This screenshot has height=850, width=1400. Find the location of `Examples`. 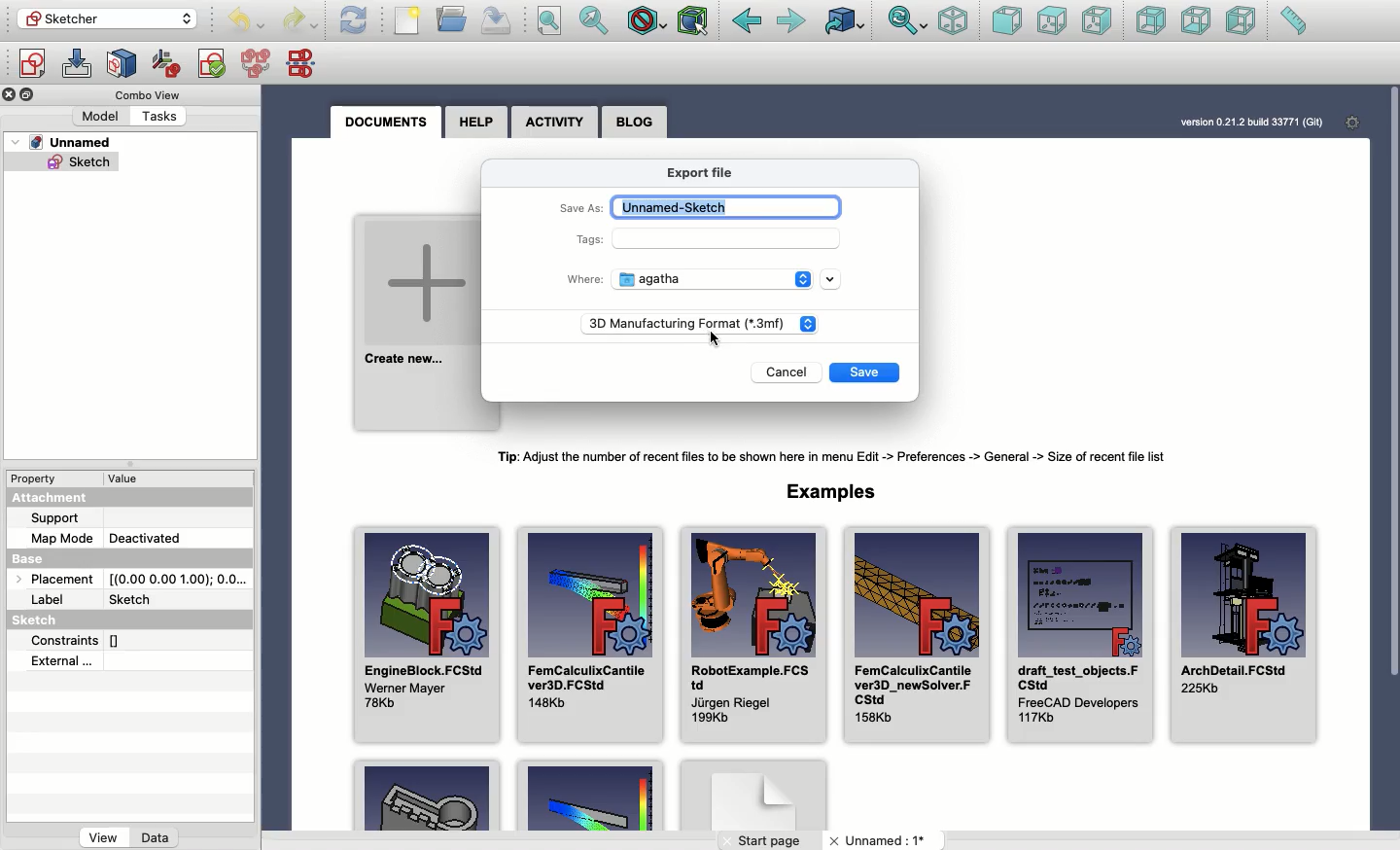

Examples is located at coordinates (831, 491).